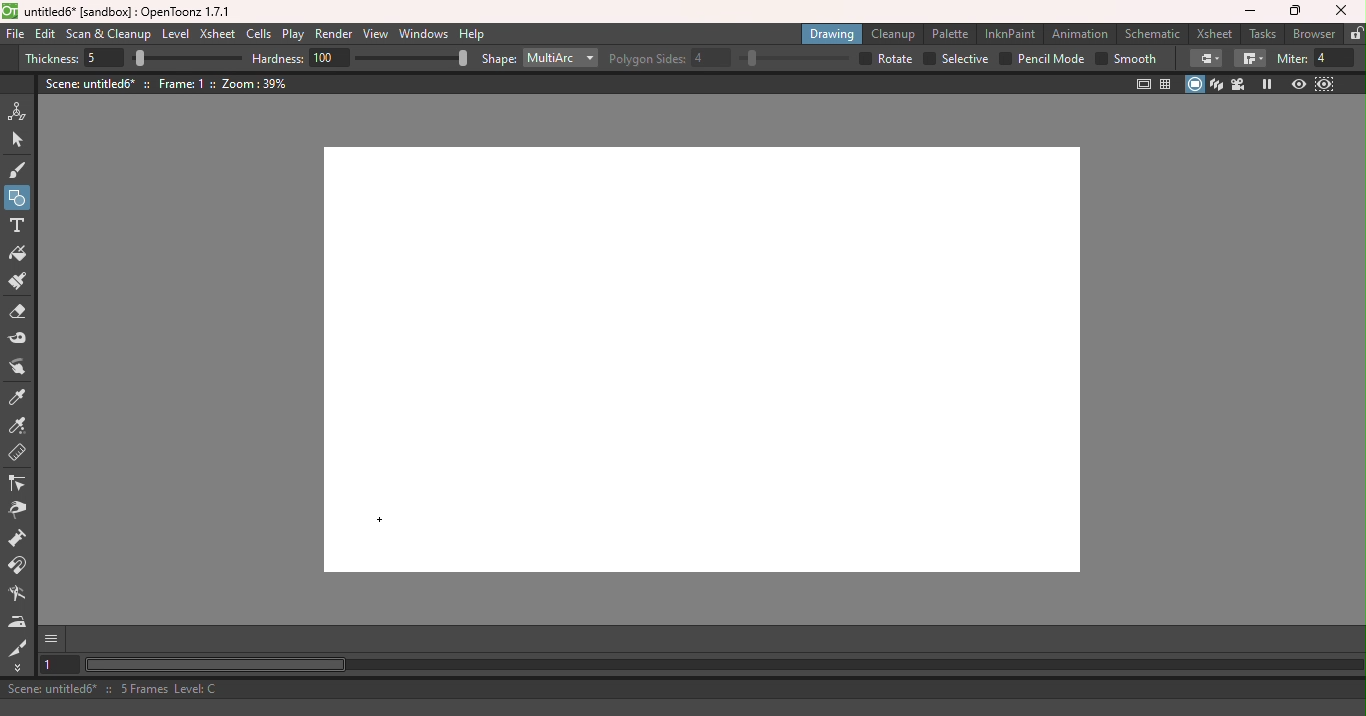 Image resolution: width=1366 pixels, height=716 pixels. Describe the element at coordinates (723, 665) in the screenshot. I see `Horizontal scroll bar` at that location.